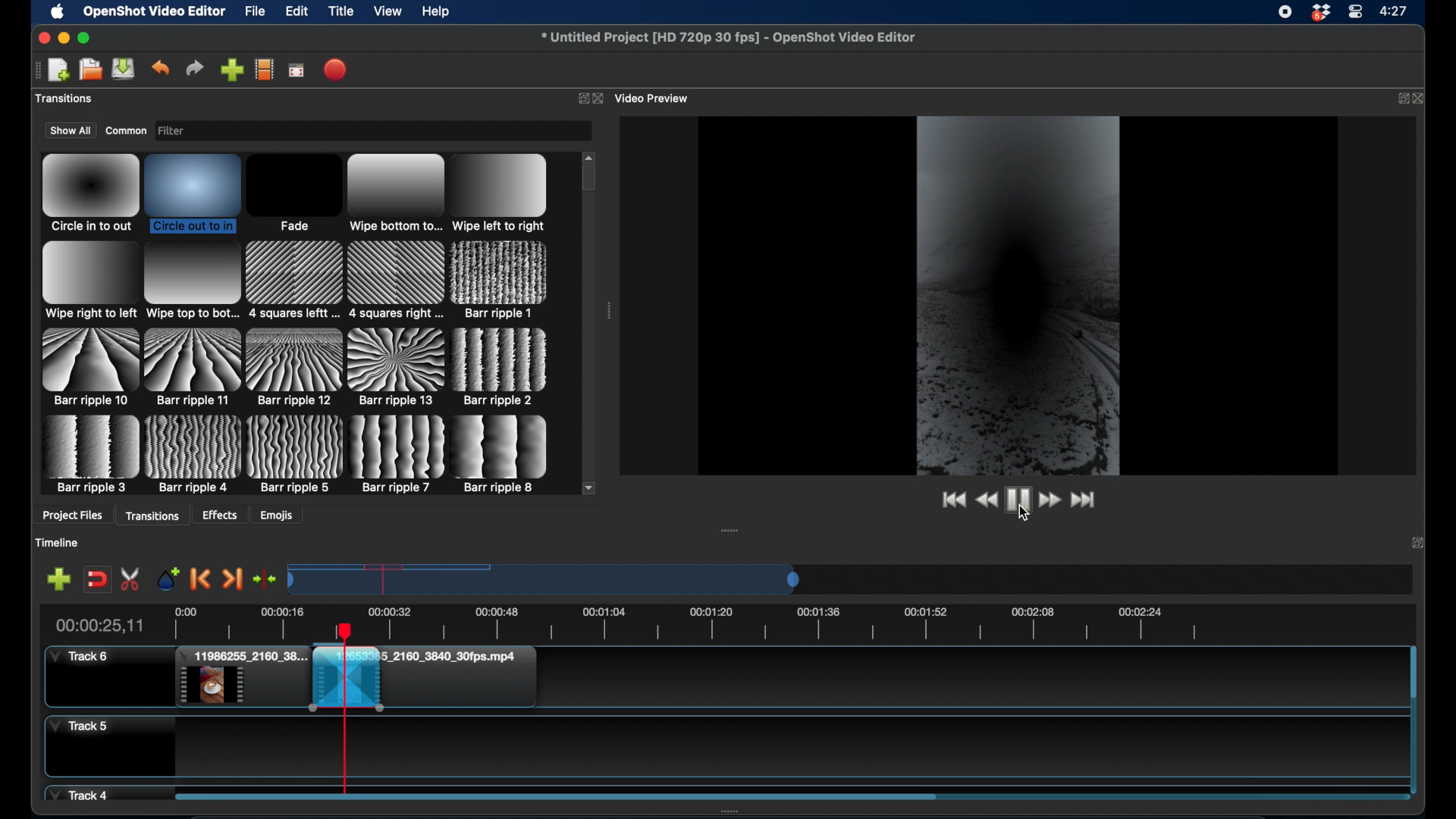 This screenshot has width=1456, height=819. What do you see at coordinates (590, 180) in the screenshot?
I see `scroll box` at bounding box center [590, 180].